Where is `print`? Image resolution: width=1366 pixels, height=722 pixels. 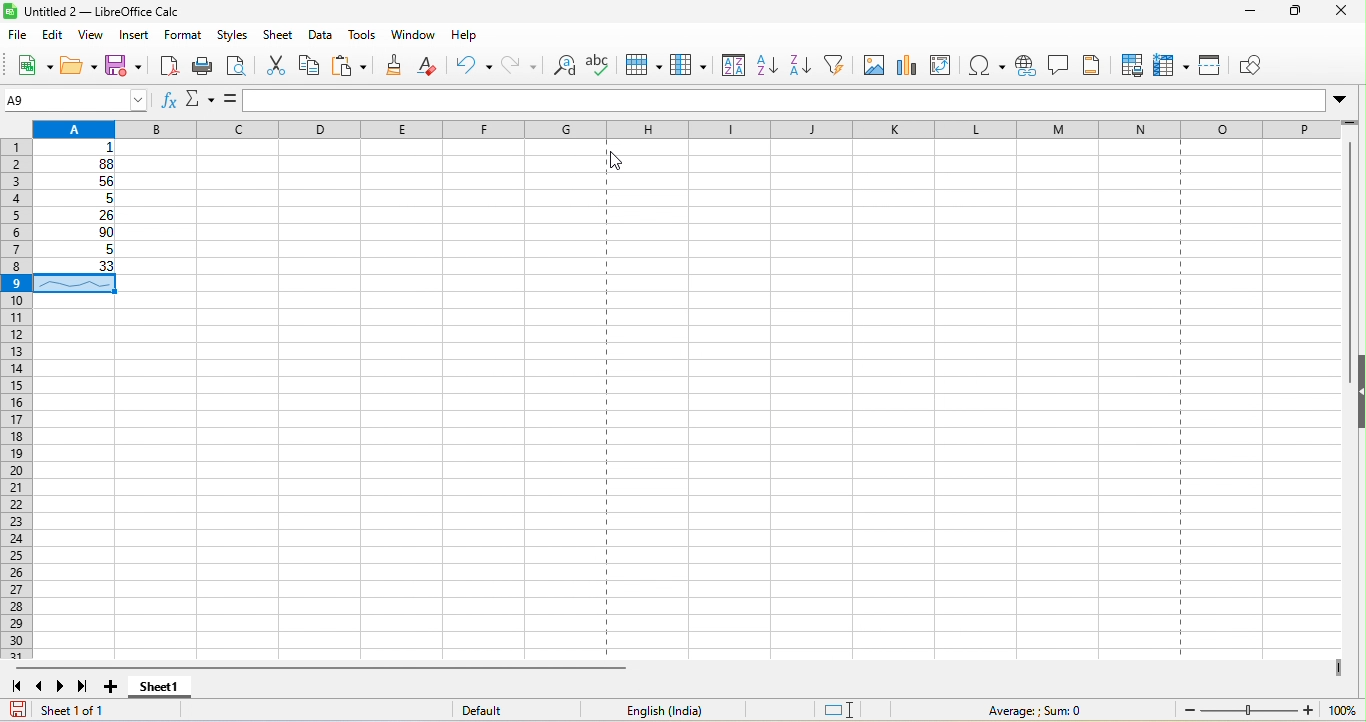
print is located at coordinates (207, 66).